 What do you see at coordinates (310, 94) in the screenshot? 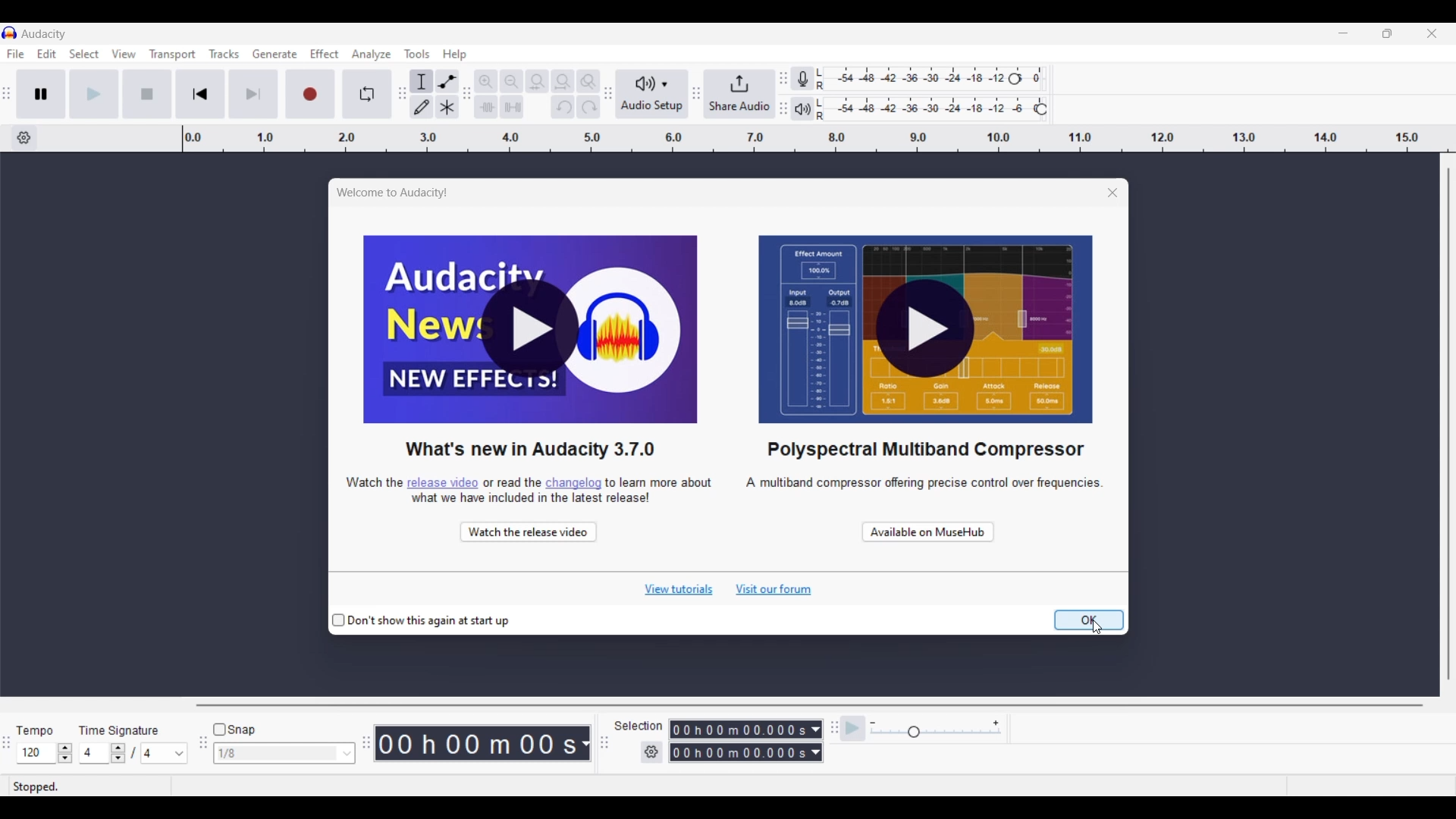
I see `Record/Record new track` at bounding box center [310, 94].